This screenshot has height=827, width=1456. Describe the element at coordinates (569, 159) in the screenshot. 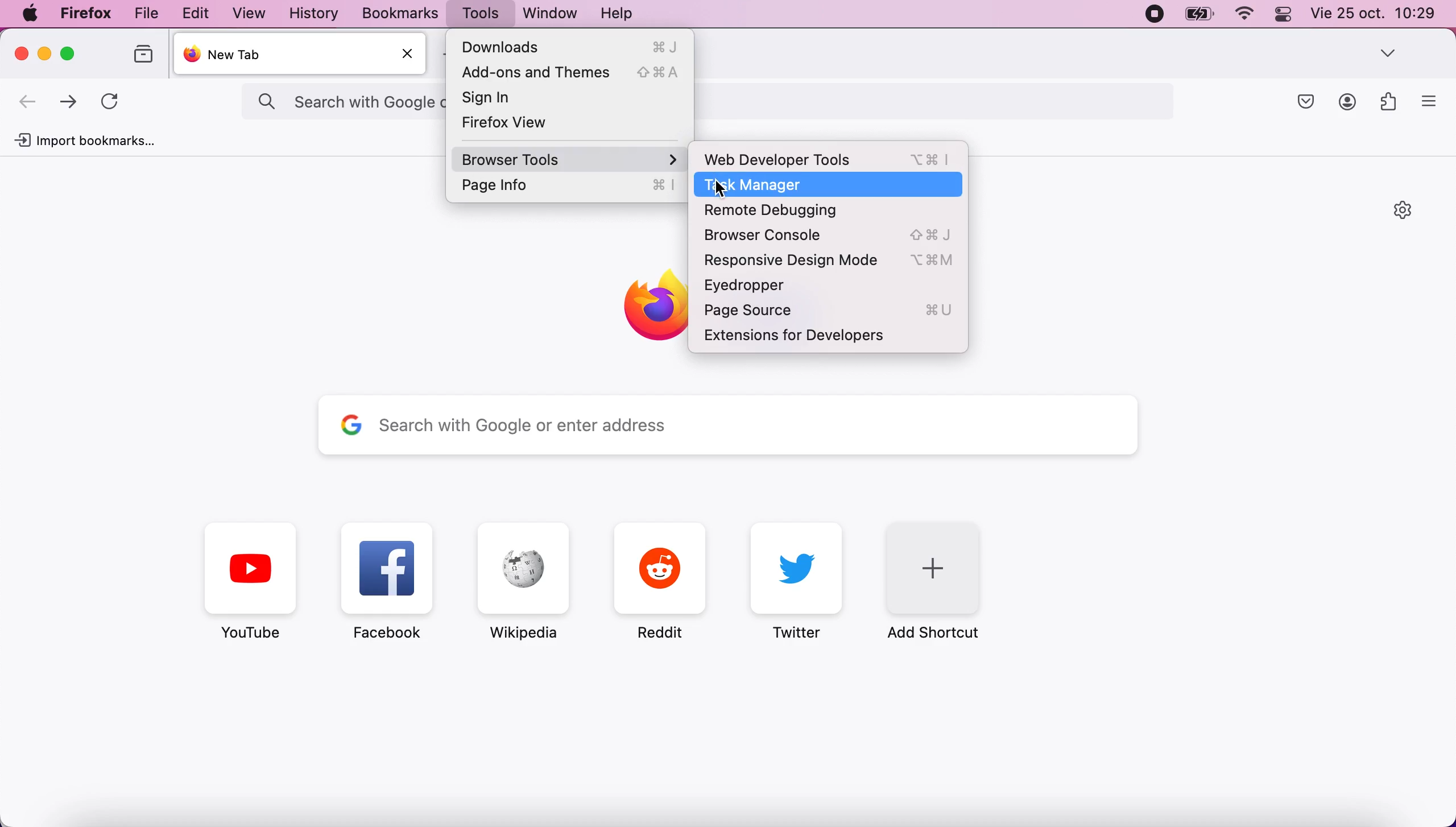

I see `Browser Tools` at that location.